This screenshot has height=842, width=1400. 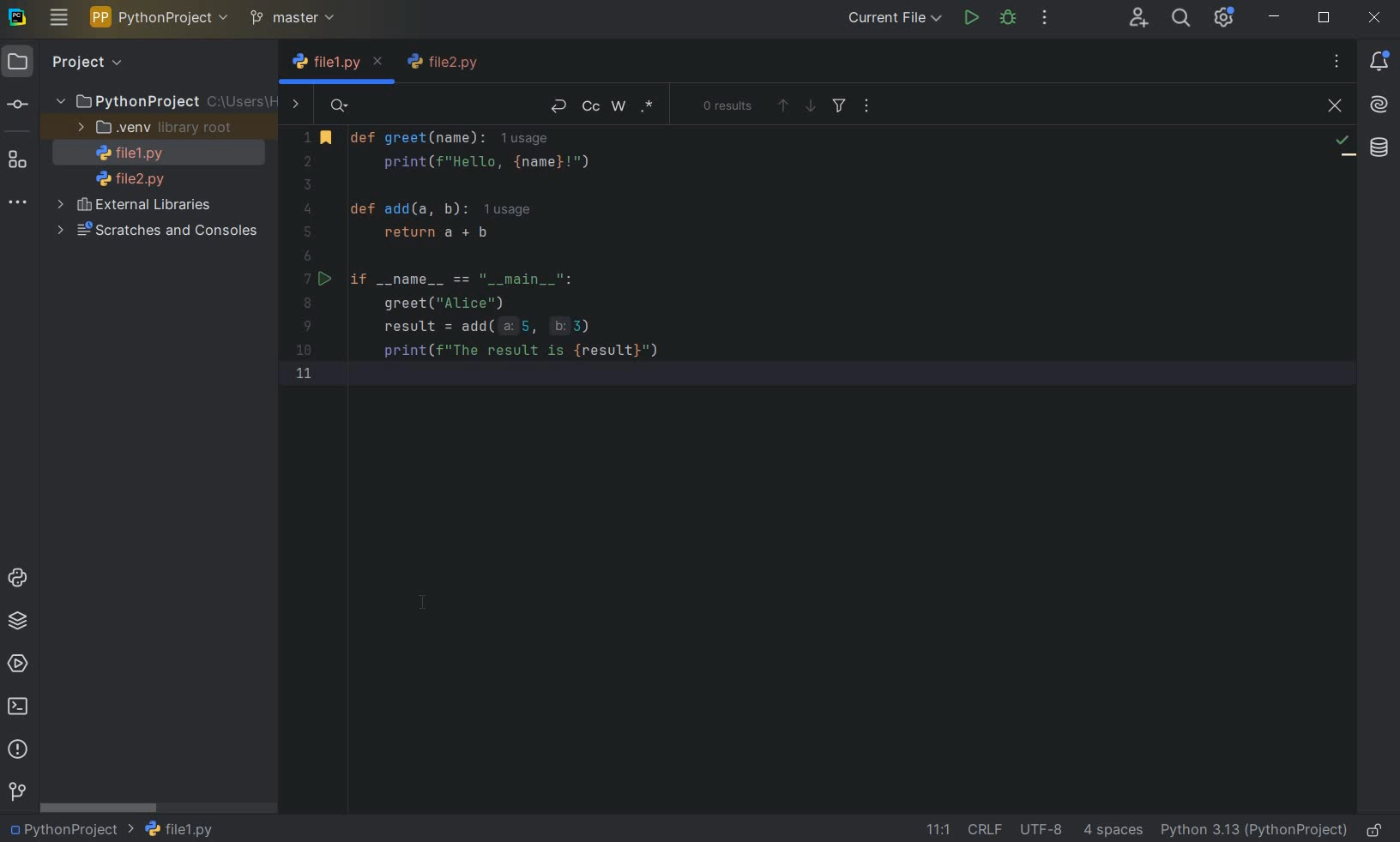 I want to click on WORDS, so click(x=620, y=107).